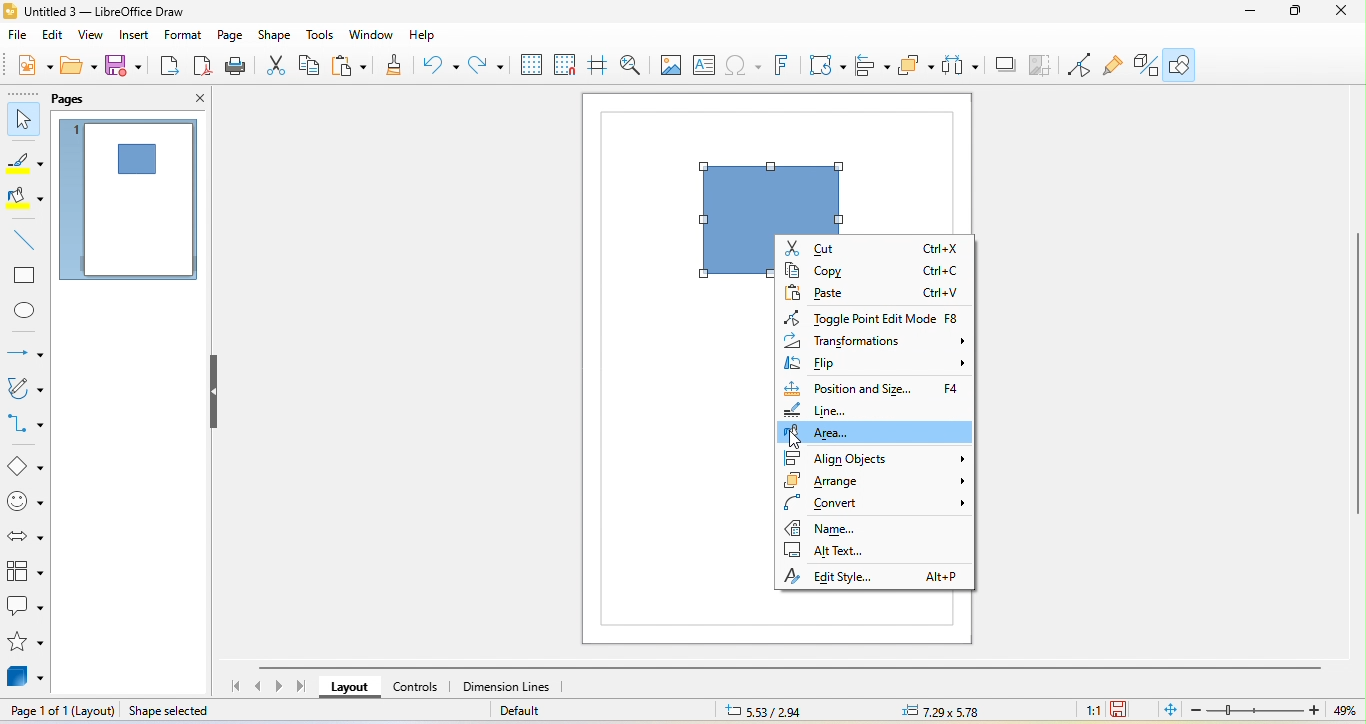  I want to click on alt text, so click(860, 550).